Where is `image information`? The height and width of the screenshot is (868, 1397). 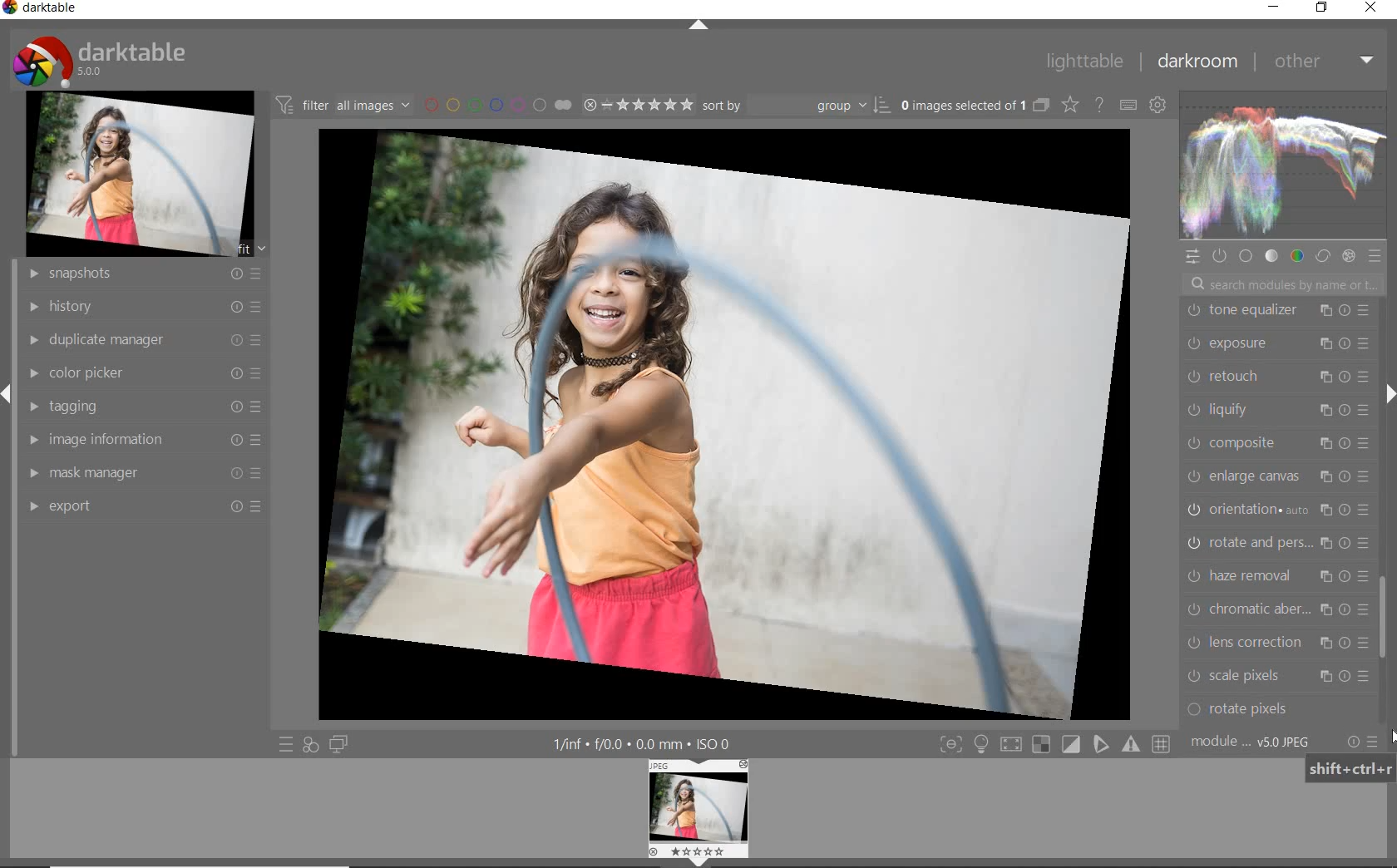 image information is located at coordinates (143, 441).